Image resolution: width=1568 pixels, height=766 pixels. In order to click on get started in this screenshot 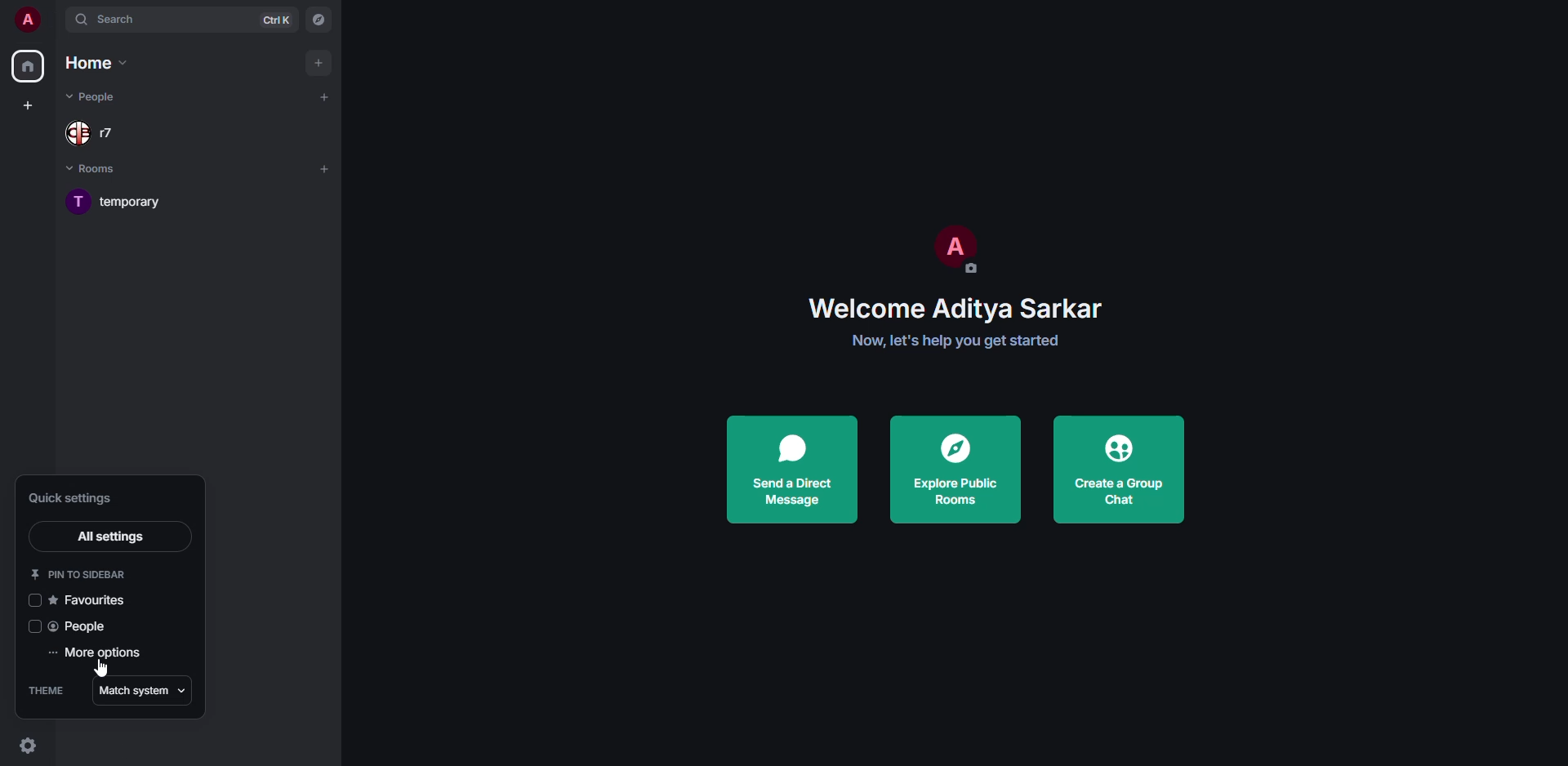, I will do `click(951, 341)`.